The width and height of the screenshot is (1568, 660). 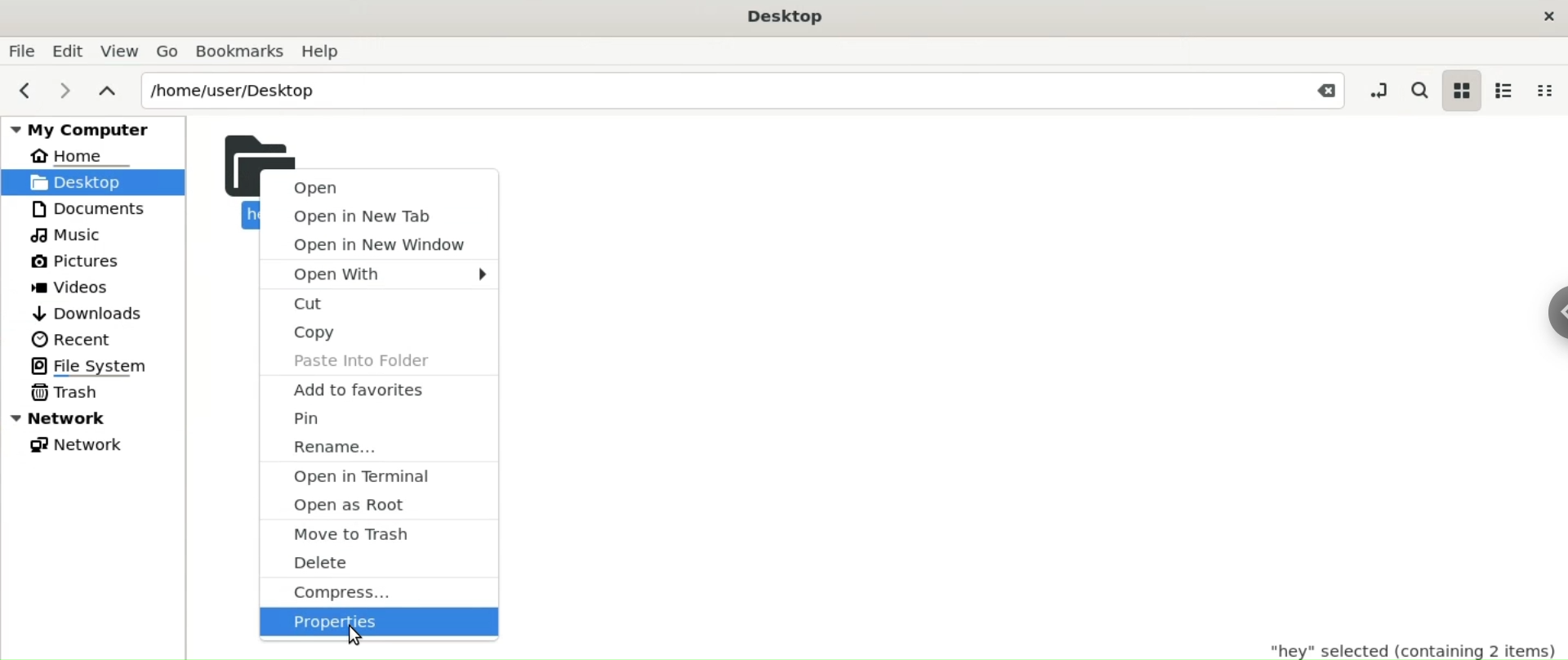 What do you see at coordinates (1374, 91) in the screenshot?
I see `toggle location entry` at bounding box center [1374, 91].